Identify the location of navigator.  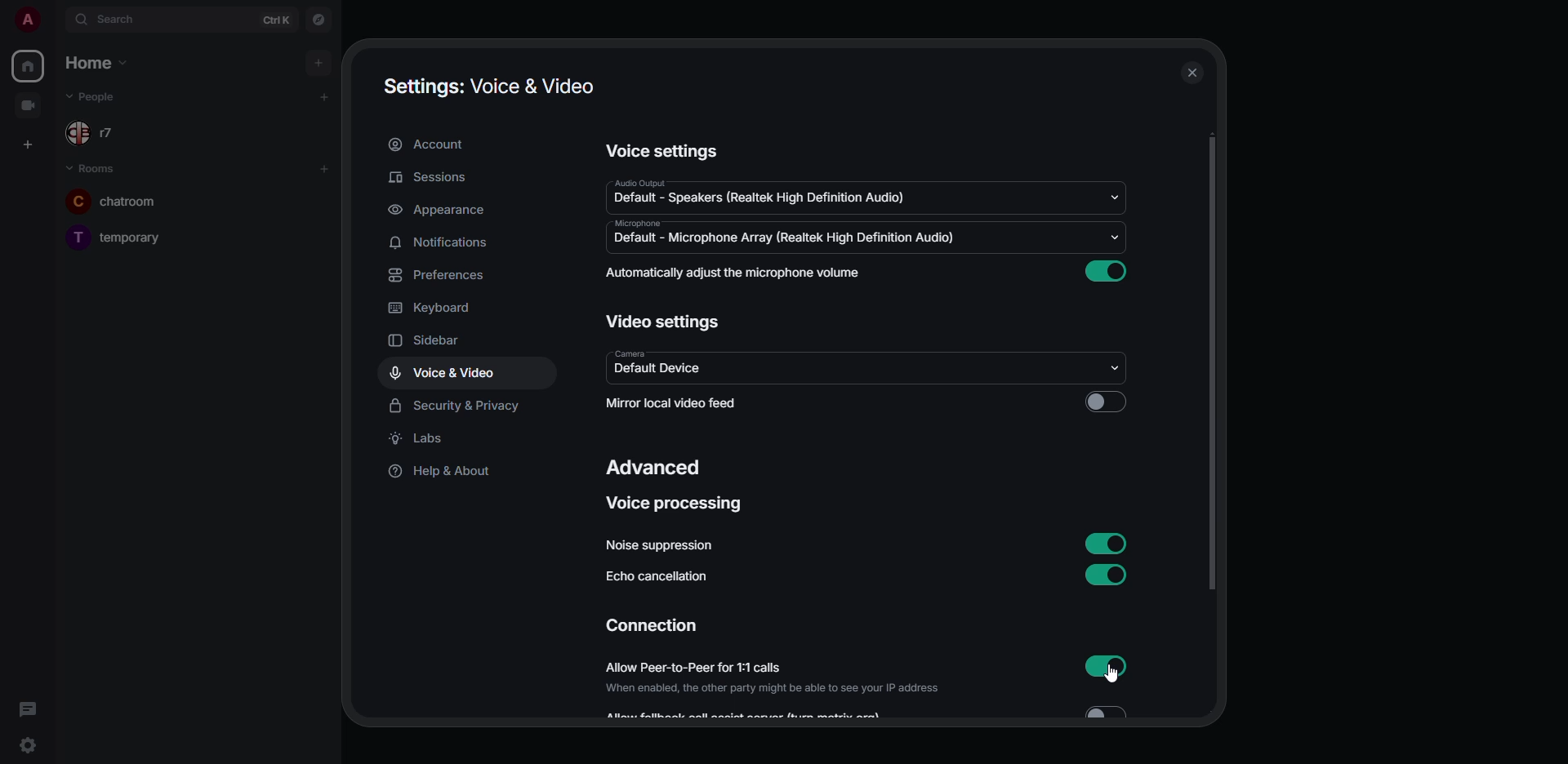
(315, 19).